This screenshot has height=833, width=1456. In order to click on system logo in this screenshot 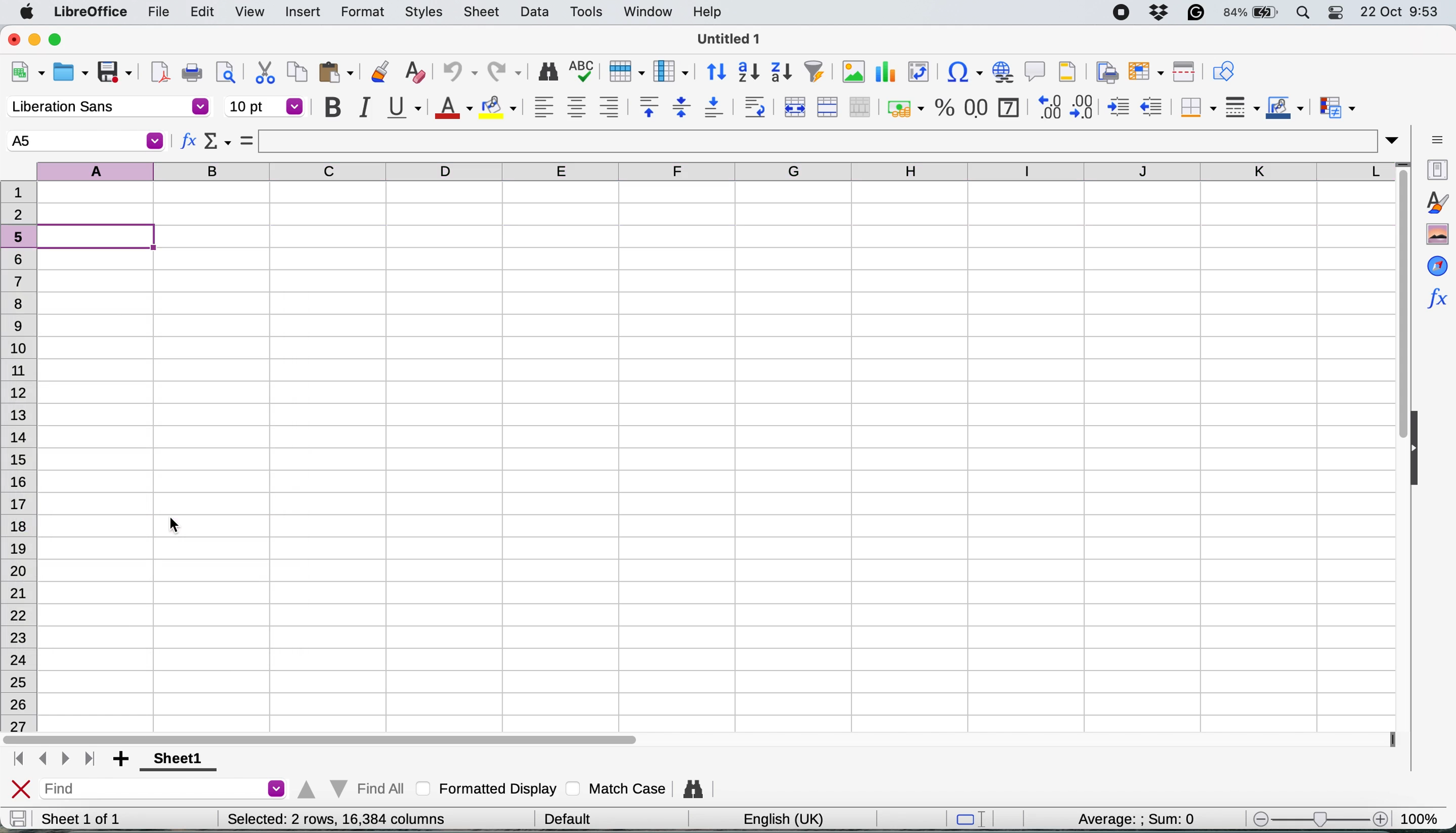, I will do `click(29, 13)`.